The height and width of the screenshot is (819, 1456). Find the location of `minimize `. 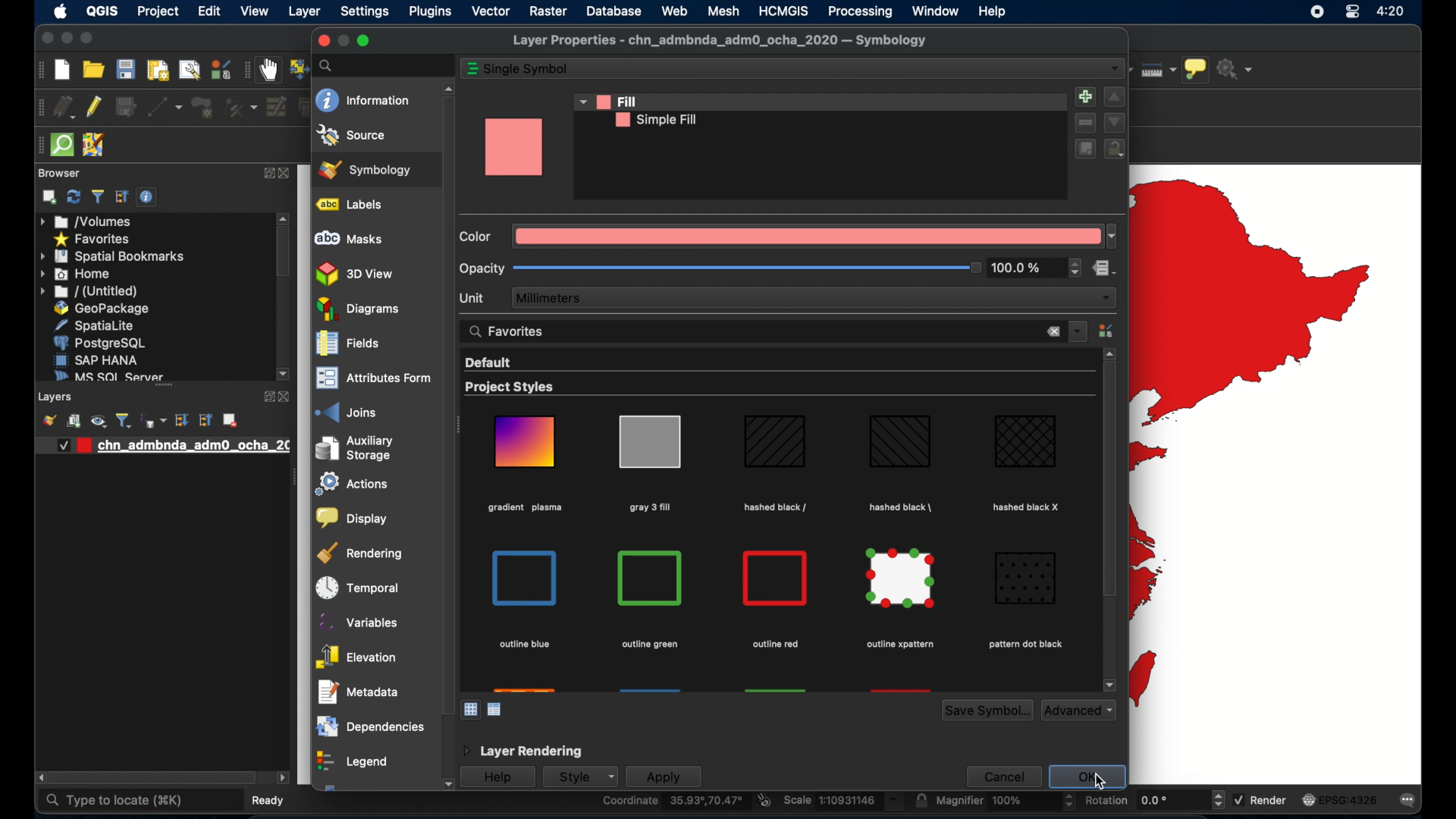

minimize  is located at coordinates (65, 39).